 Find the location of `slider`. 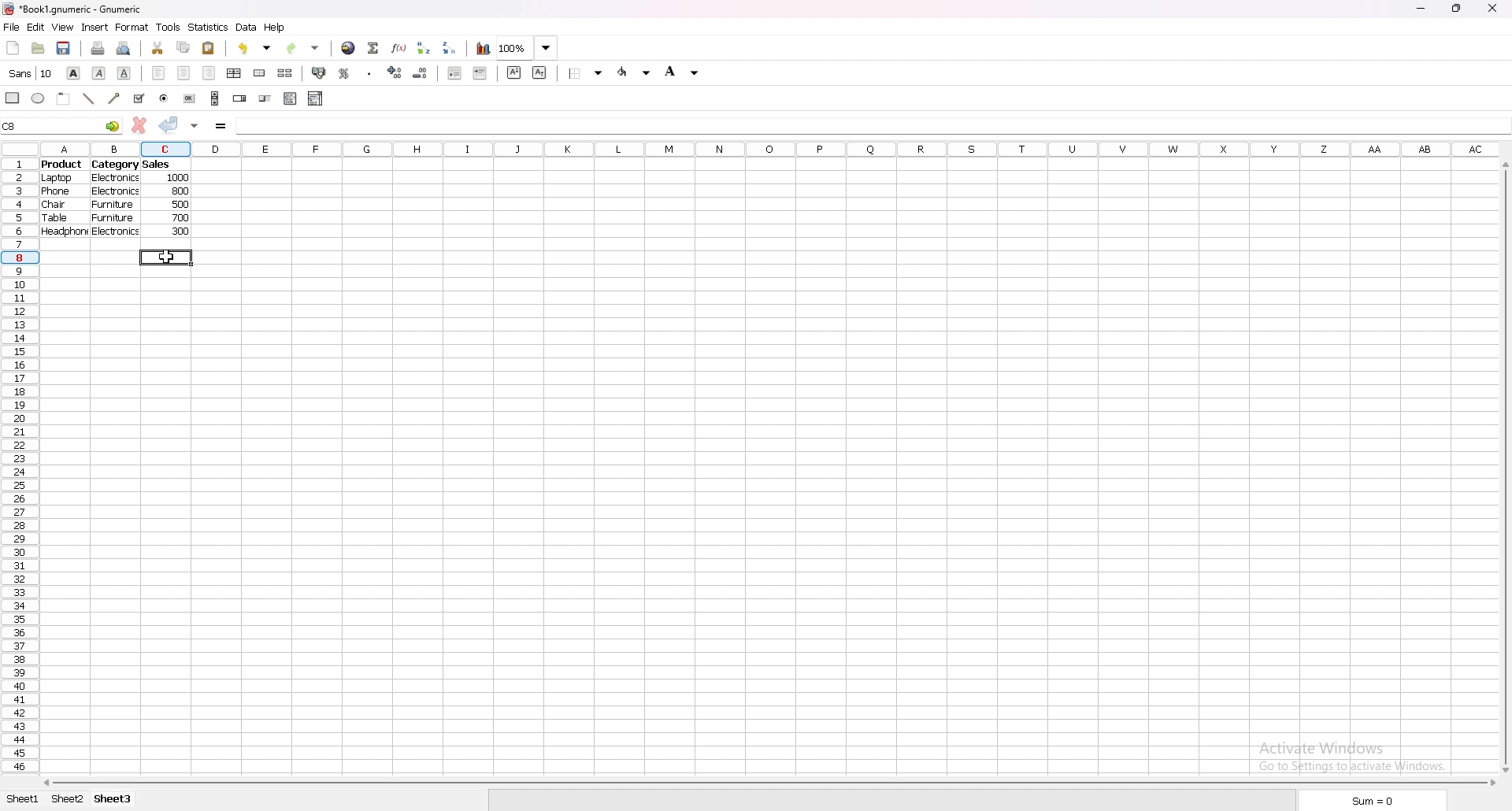

slider is located at coordinates (265, 100).